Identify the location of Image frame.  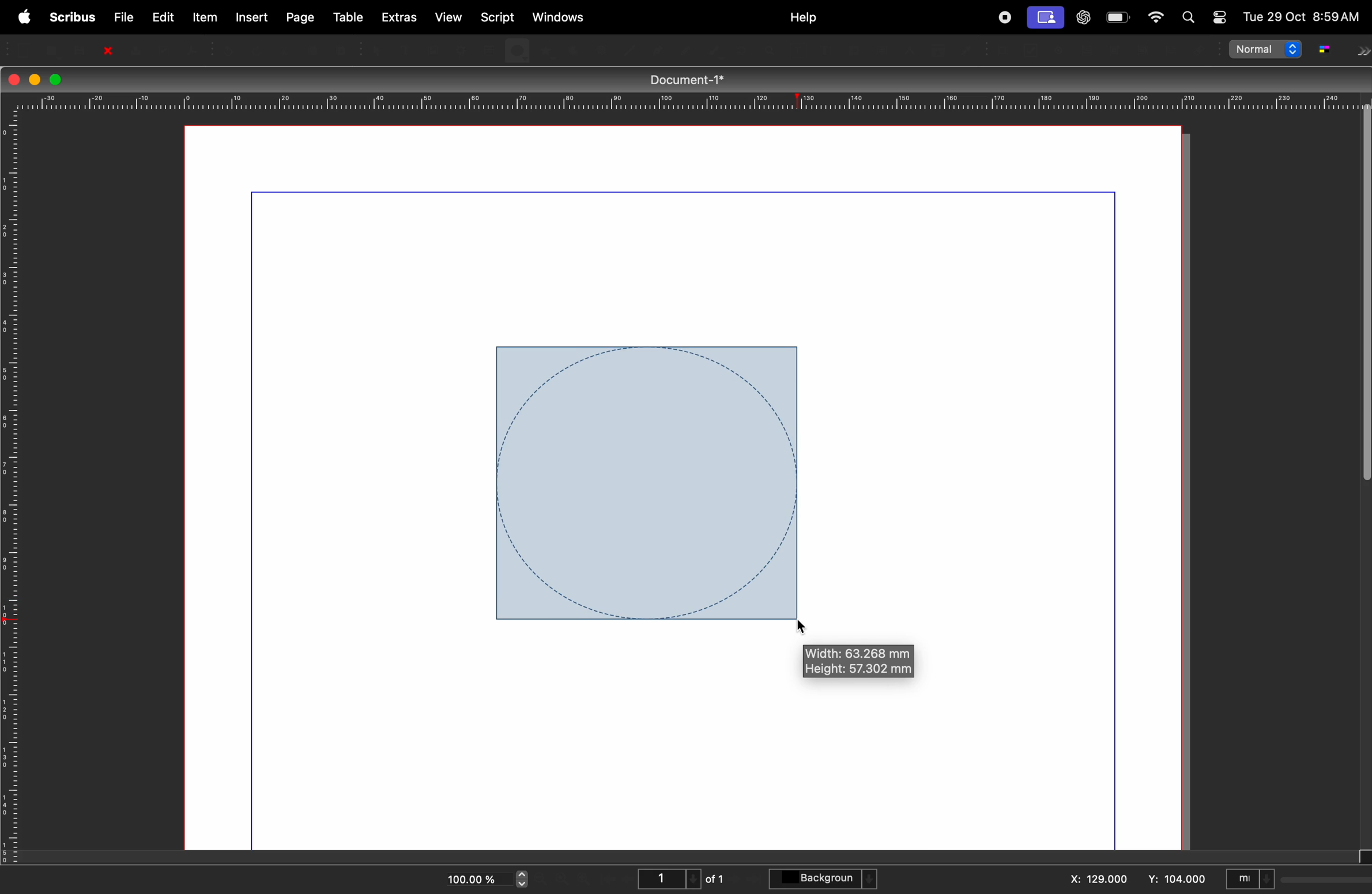
(431, 48).